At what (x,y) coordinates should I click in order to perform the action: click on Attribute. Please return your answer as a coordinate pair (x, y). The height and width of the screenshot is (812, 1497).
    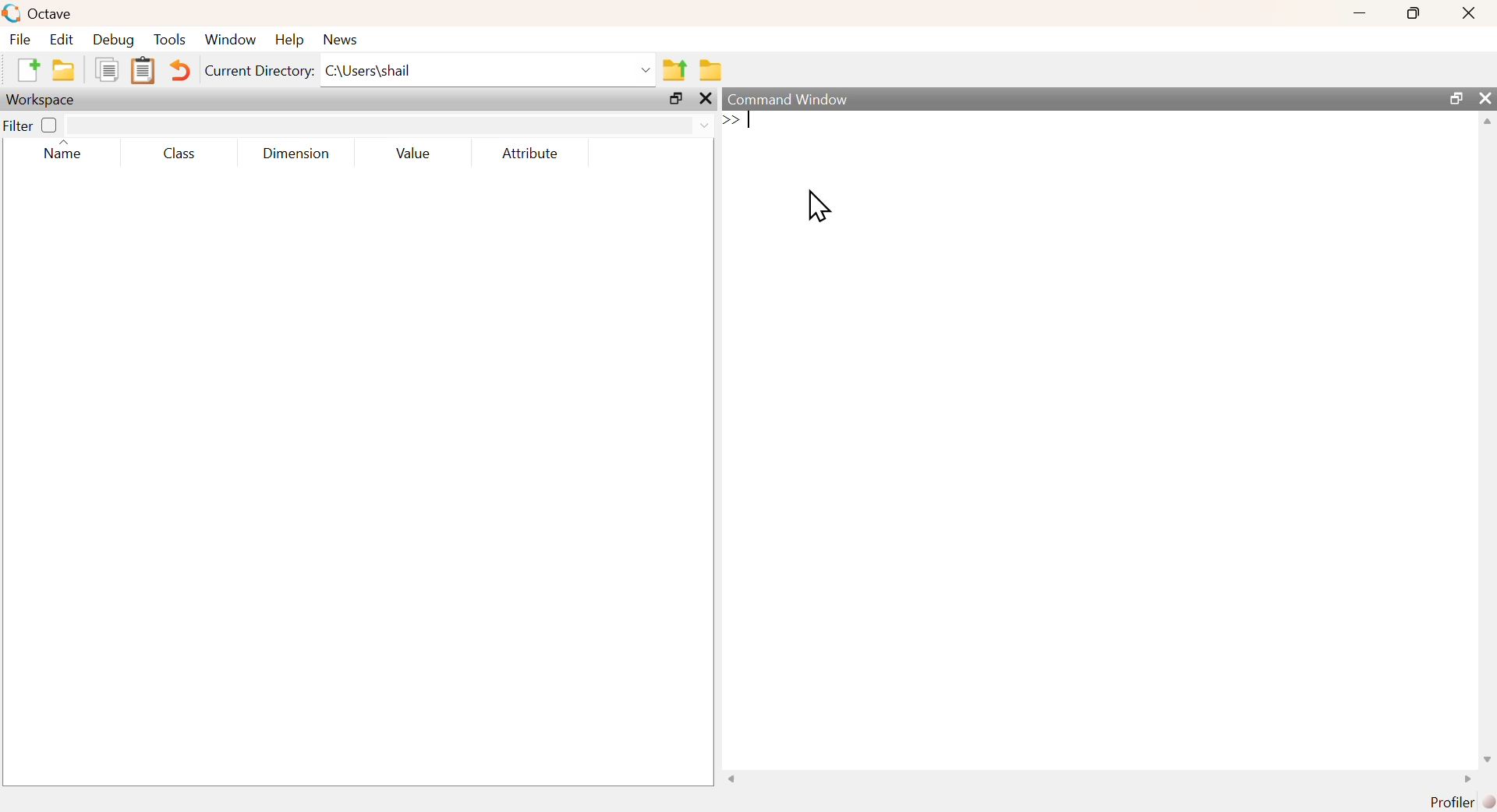
    Looking at the image, I should click on (531, 153).